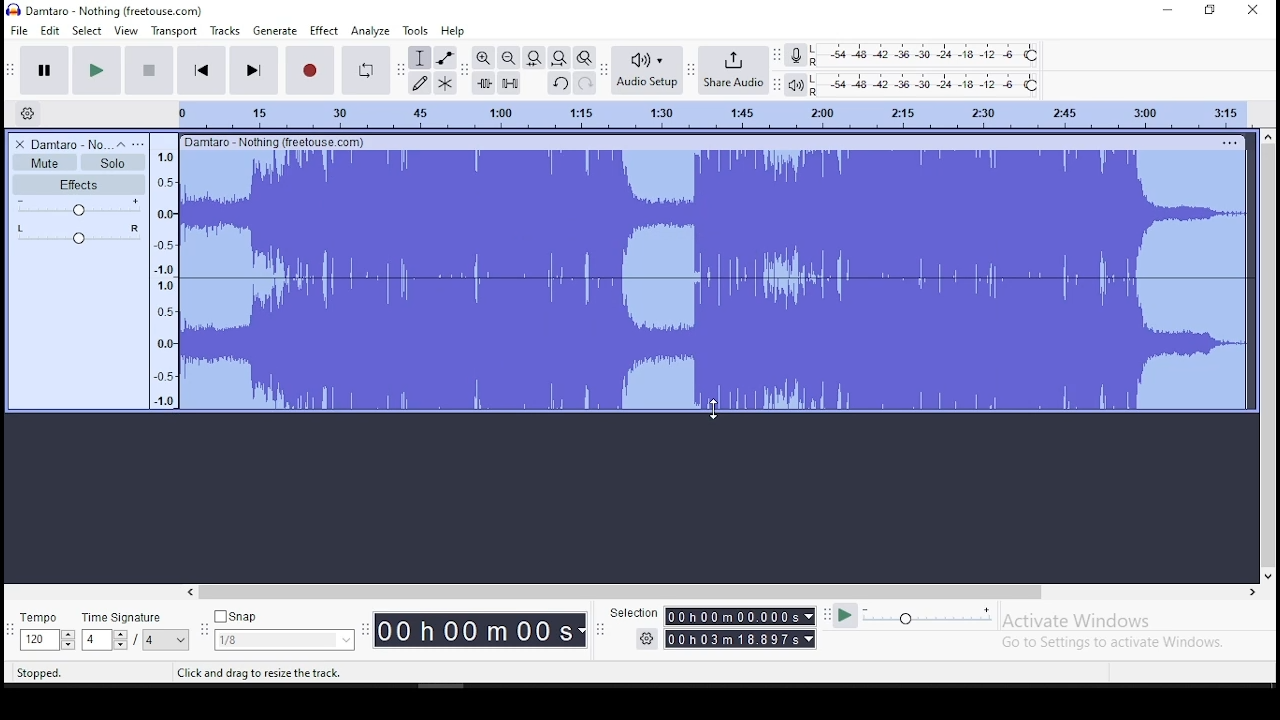 The height and width of the screenshot is (720, 1280). What do you see at coordinates (133, 615) in the screenshot?
I see `time signature` at bounding box center [133, 615].